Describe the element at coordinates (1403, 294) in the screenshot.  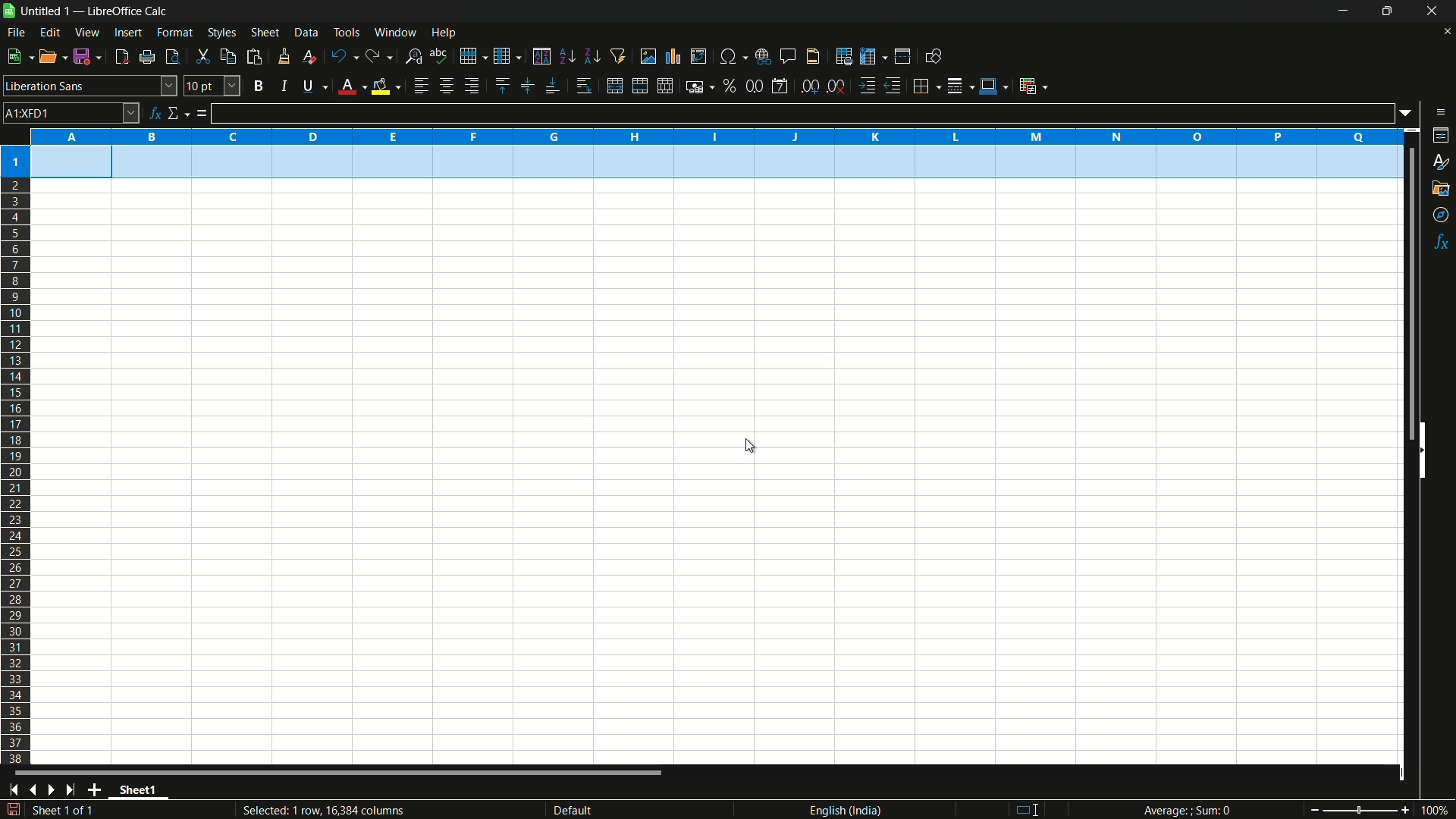
I see `scroll bar` at that location.